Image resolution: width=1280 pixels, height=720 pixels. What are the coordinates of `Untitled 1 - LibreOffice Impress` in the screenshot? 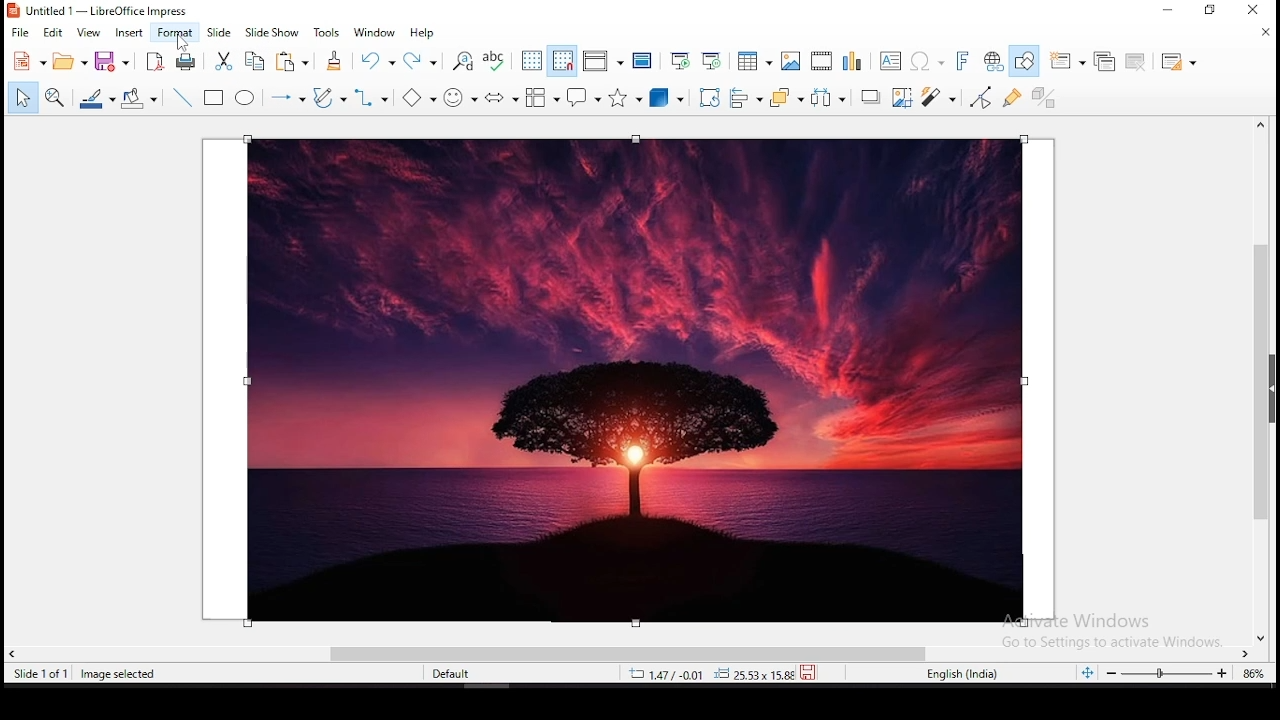 It's located at (100, 11).